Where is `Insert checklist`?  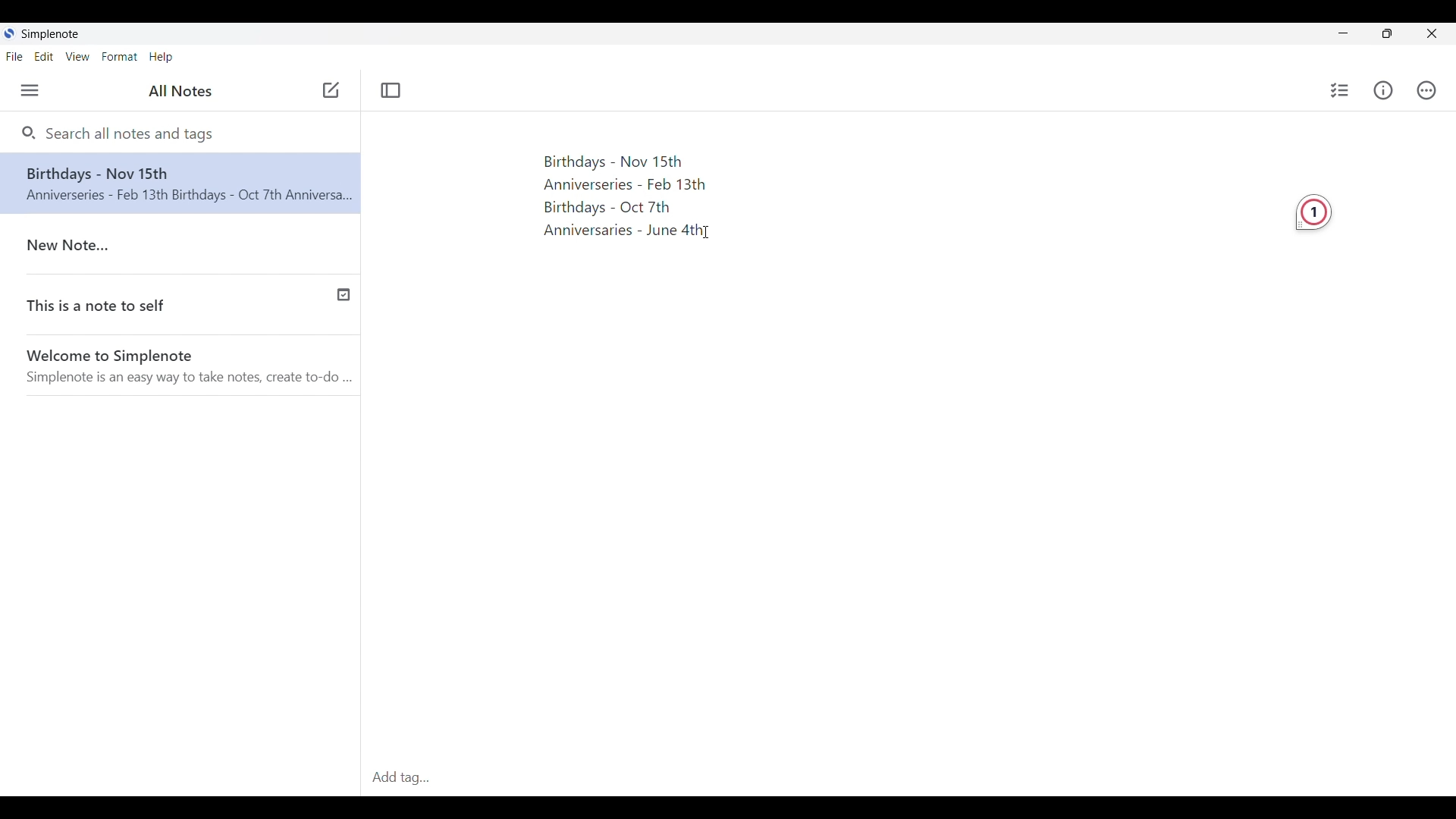
Insert checklist is located at coordinates (1341, 90).